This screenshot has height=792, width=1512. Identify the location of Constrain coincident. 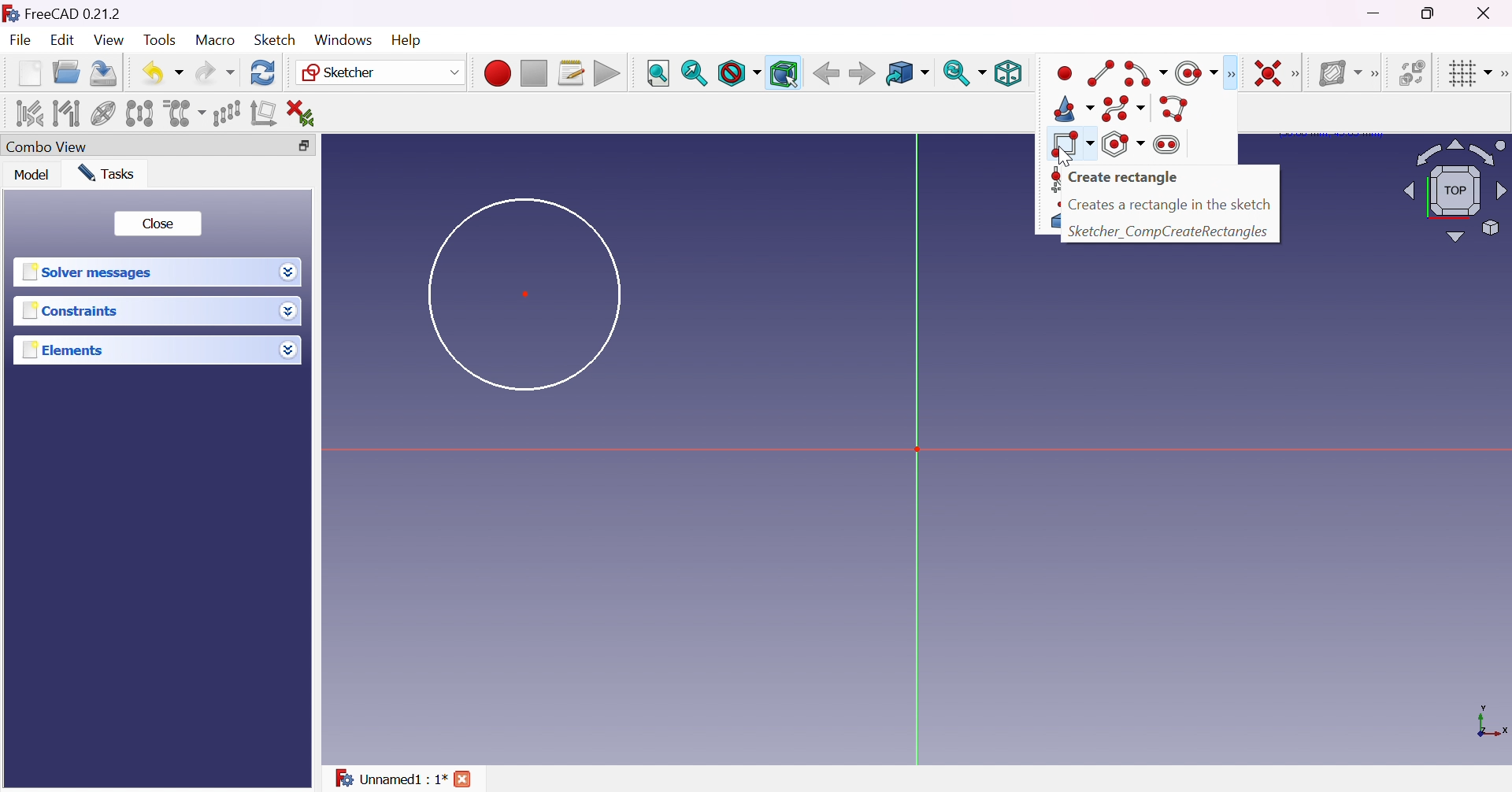
(1266, 73).